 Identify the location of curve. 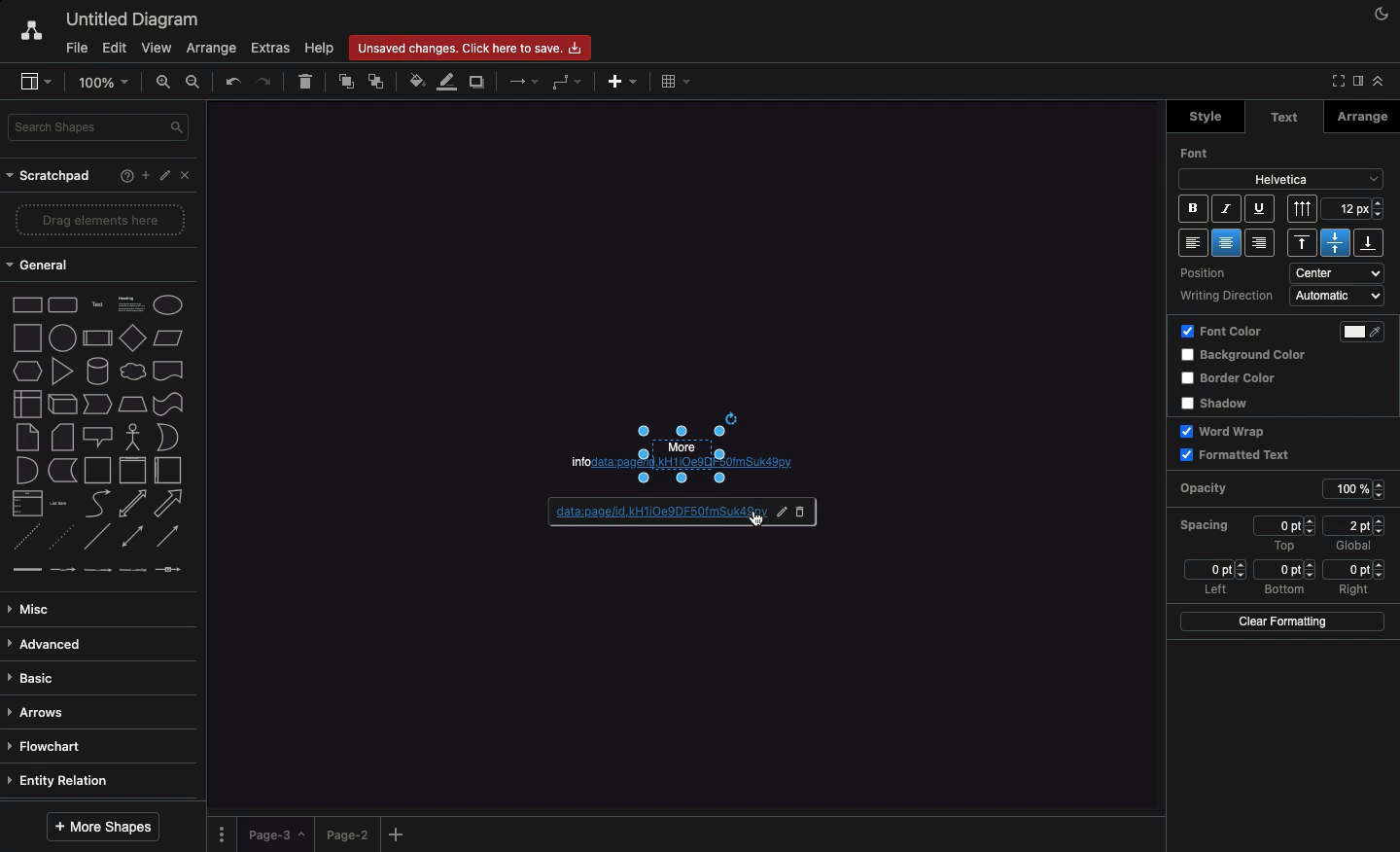
(98, 502).